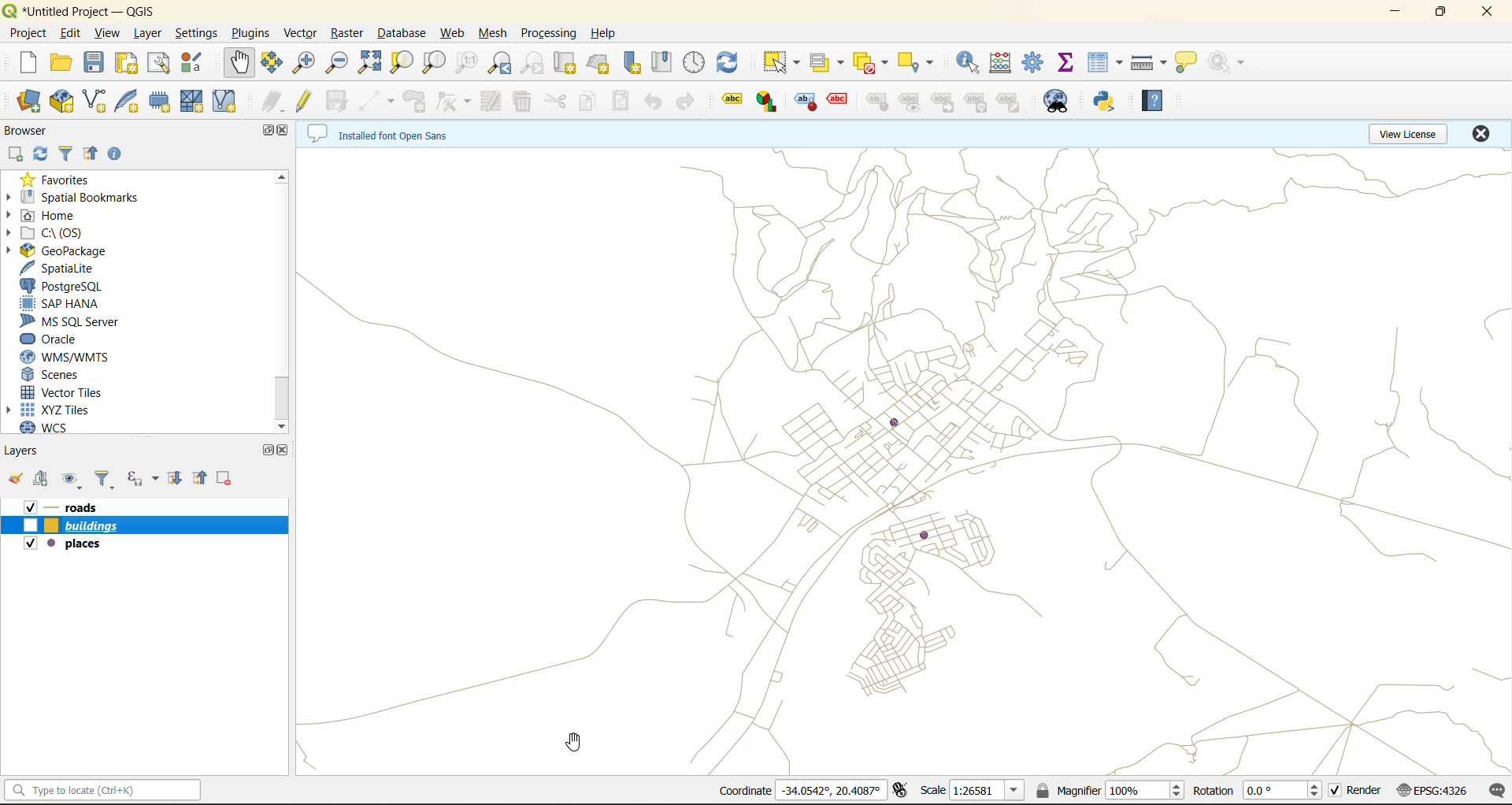 The height and width of the screenshot is (805, 1512). I want to click on project, so click(28, 35).